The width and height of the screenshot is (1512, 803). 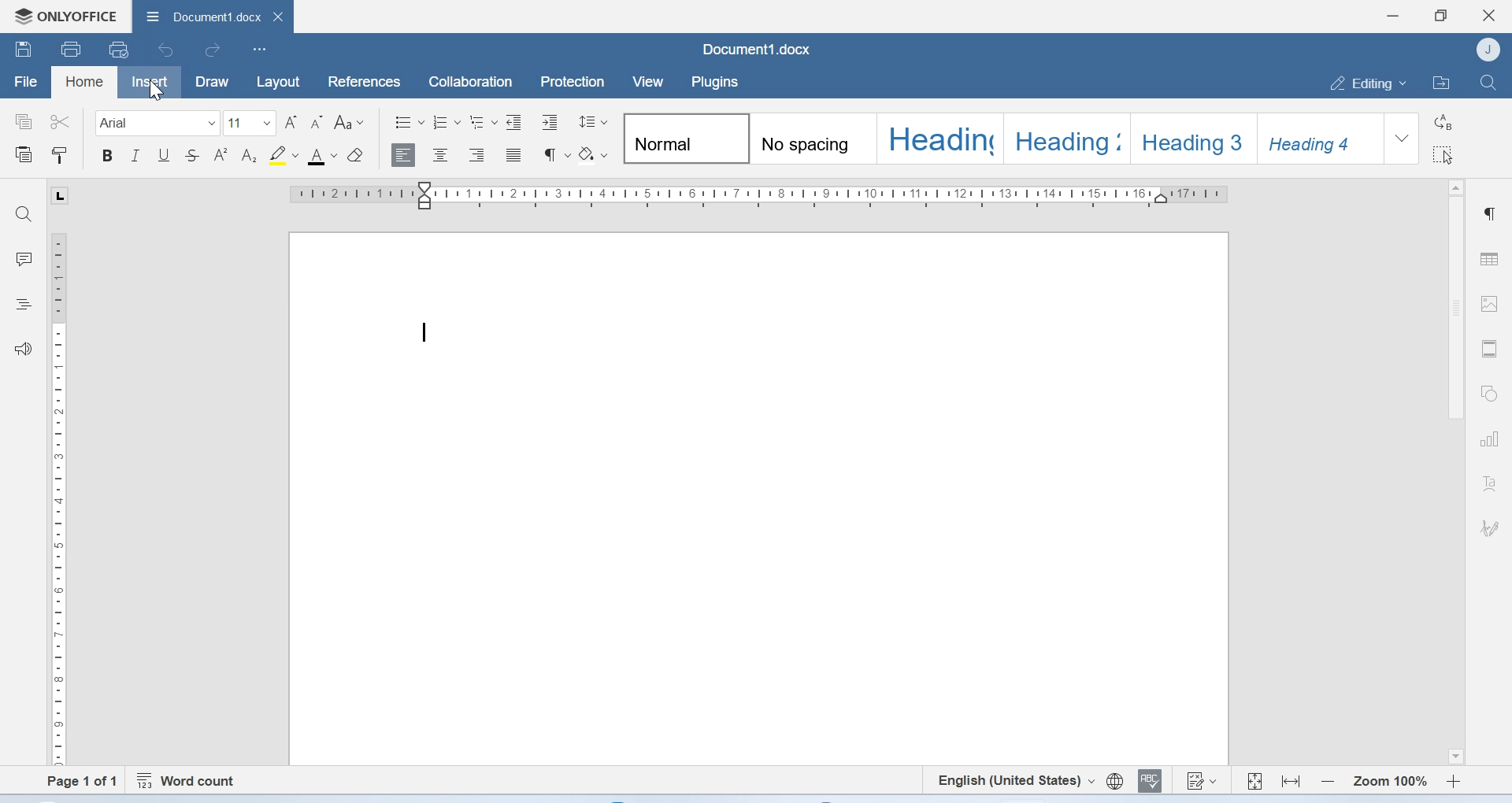 I want to click on Print file, so click(x=70, y=48).